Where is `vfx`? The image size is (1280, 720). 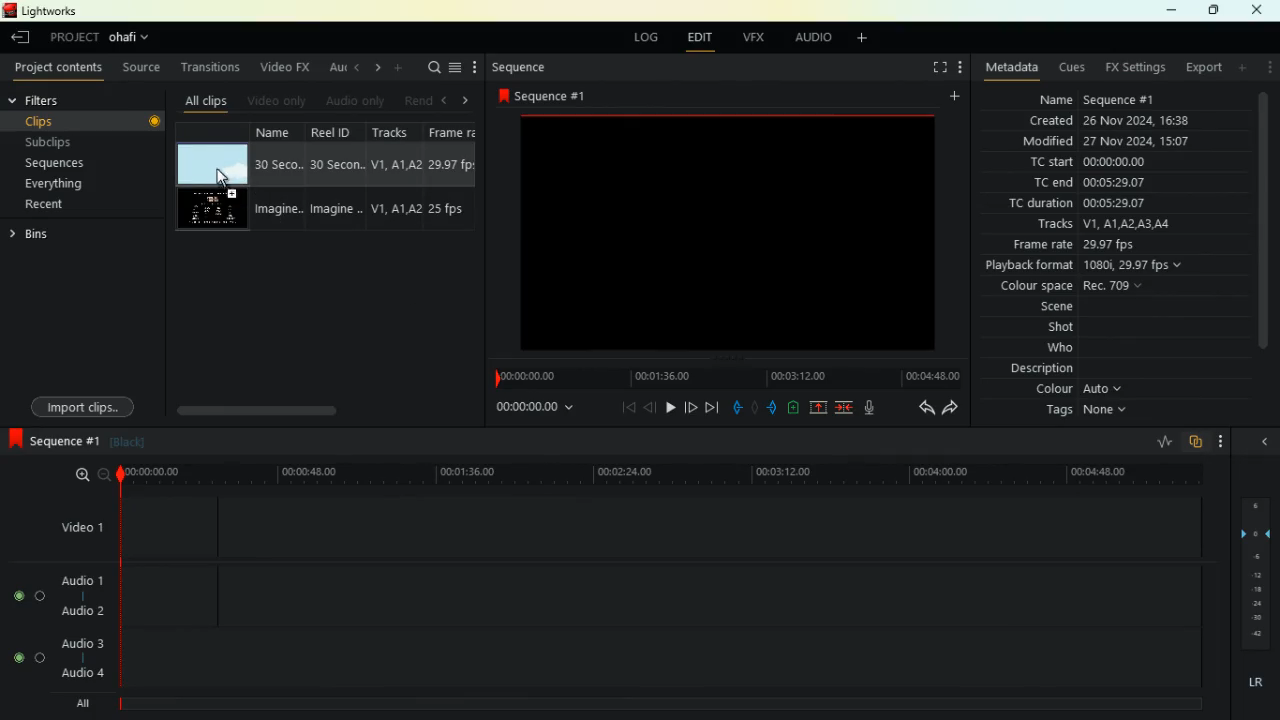 vfx is located at coordinates (750, 38).